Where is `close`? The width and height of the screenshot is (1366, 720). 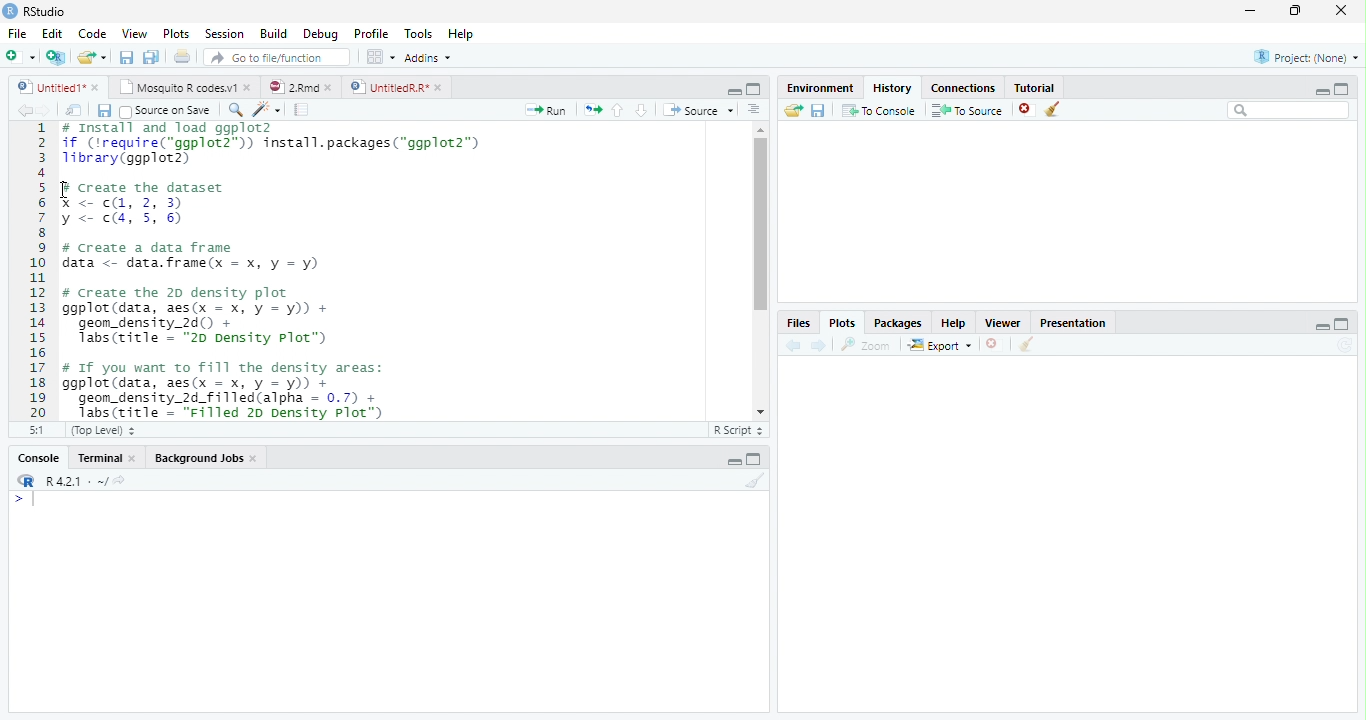 close is located at coordinates (993, 344).